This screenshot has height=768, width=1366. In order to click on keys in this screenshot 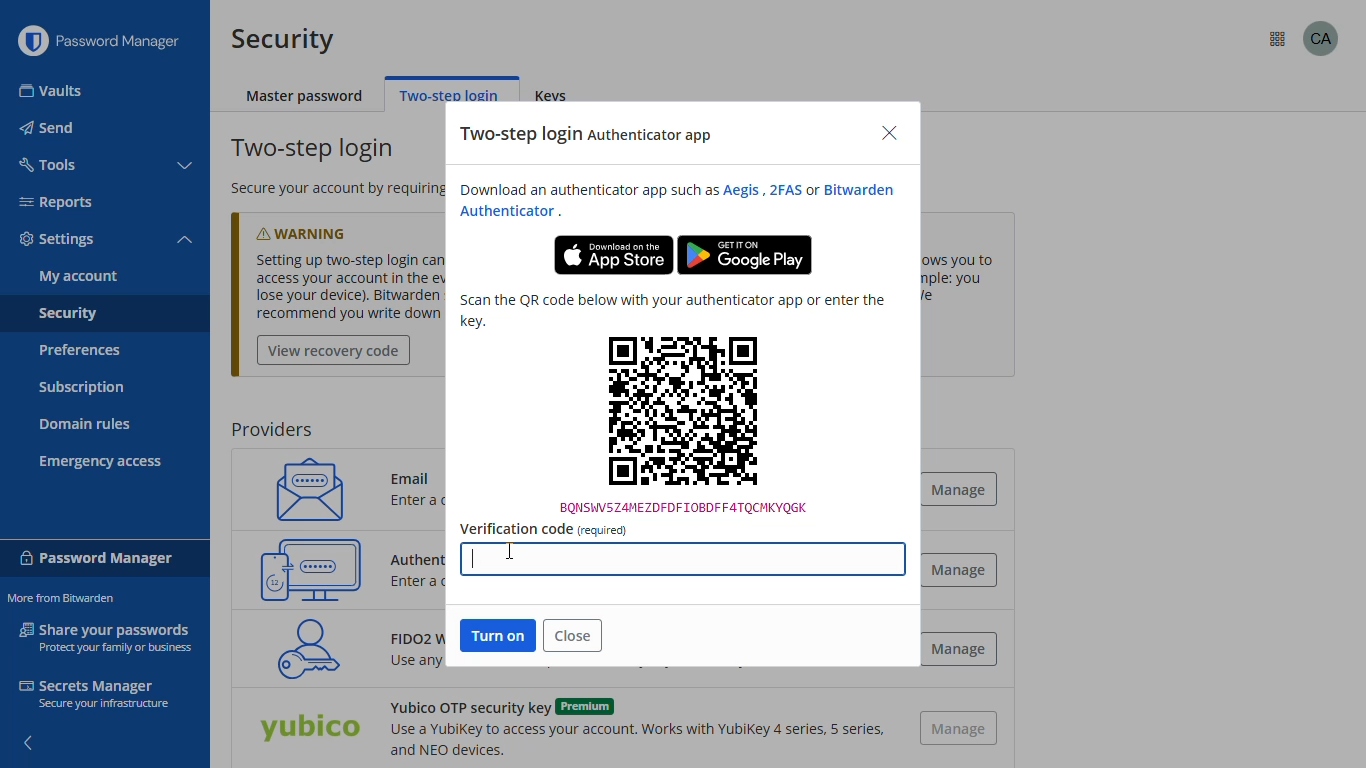, I will do `click(557, 97)`.